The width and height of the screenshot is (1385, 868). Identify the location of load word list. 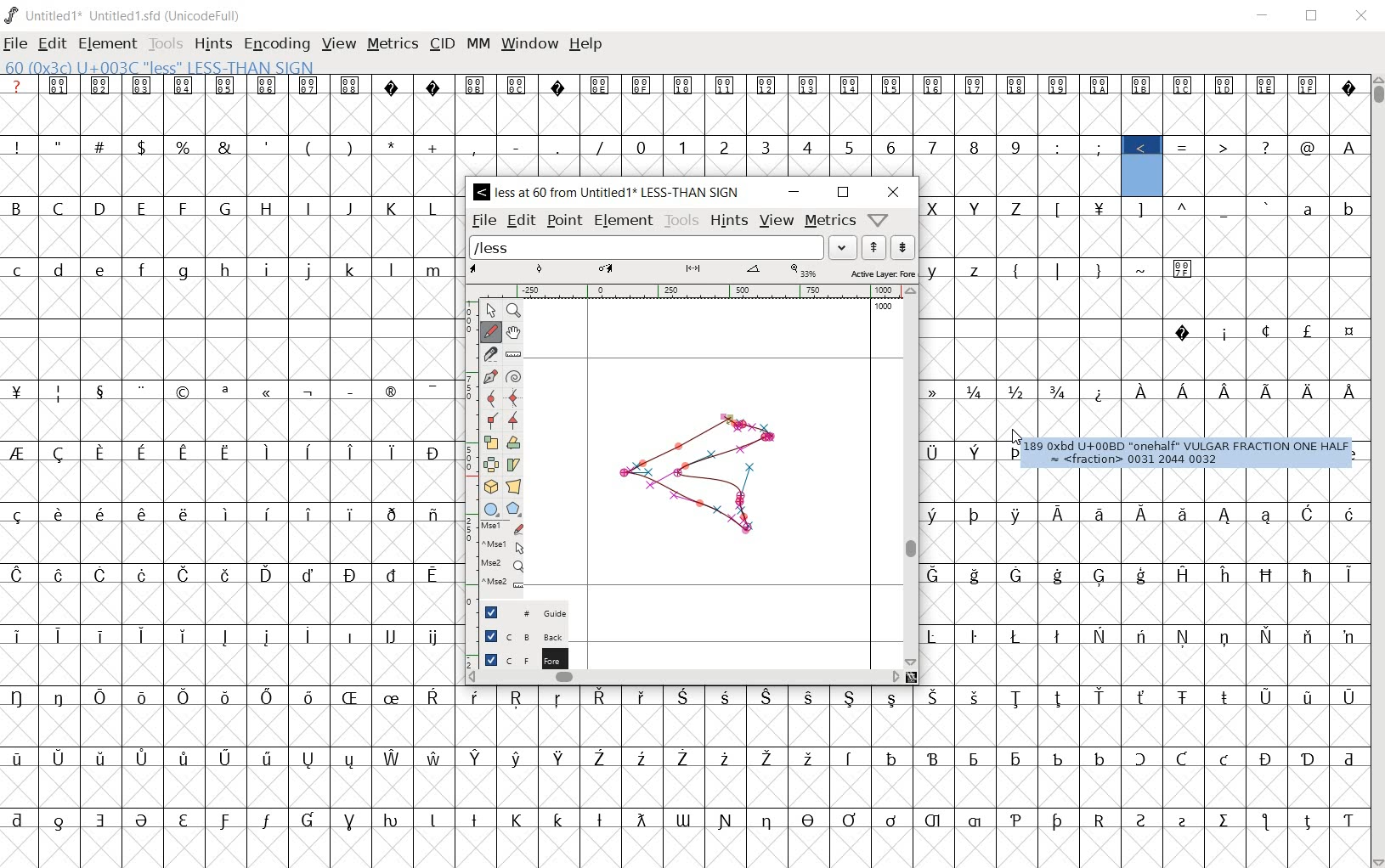
(663, 247).